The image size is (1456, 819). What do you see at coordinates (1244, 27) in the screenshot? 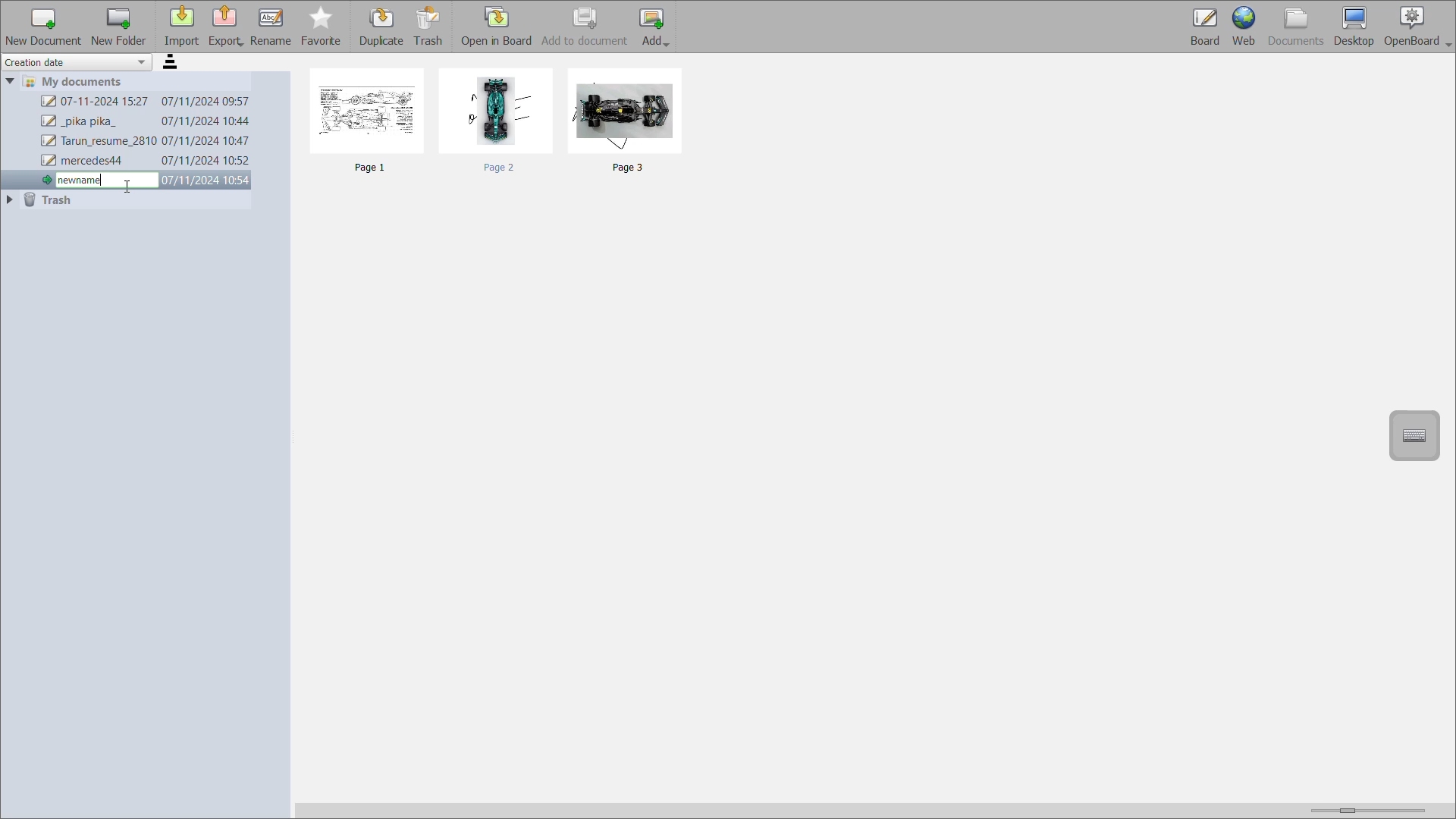
I see `web` at bounding box center [1244, 27].